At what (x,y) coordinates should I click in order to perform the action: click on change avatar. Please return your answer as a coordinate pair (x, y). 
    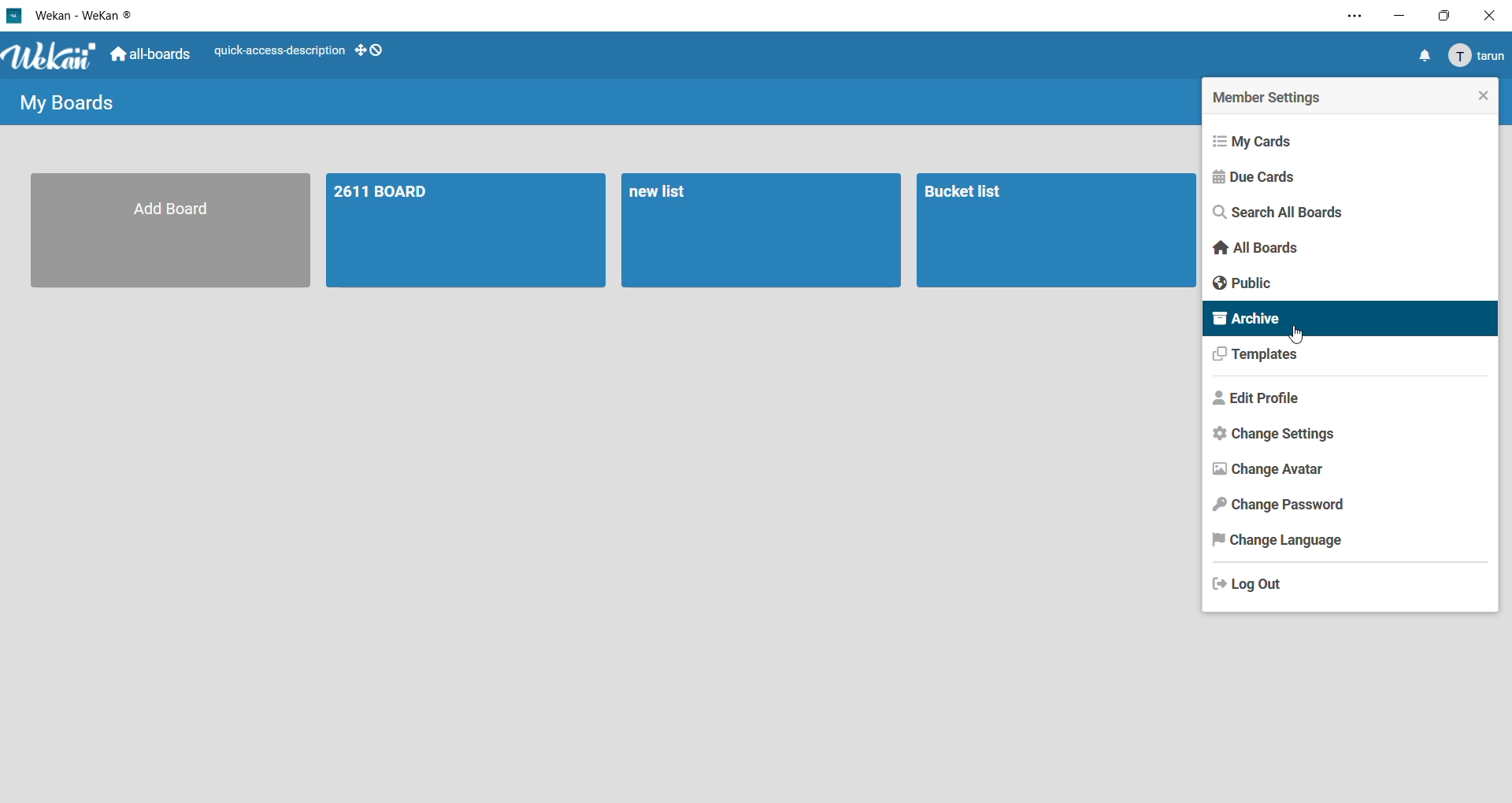
    Looking at the image, I should click on (1266, 468).